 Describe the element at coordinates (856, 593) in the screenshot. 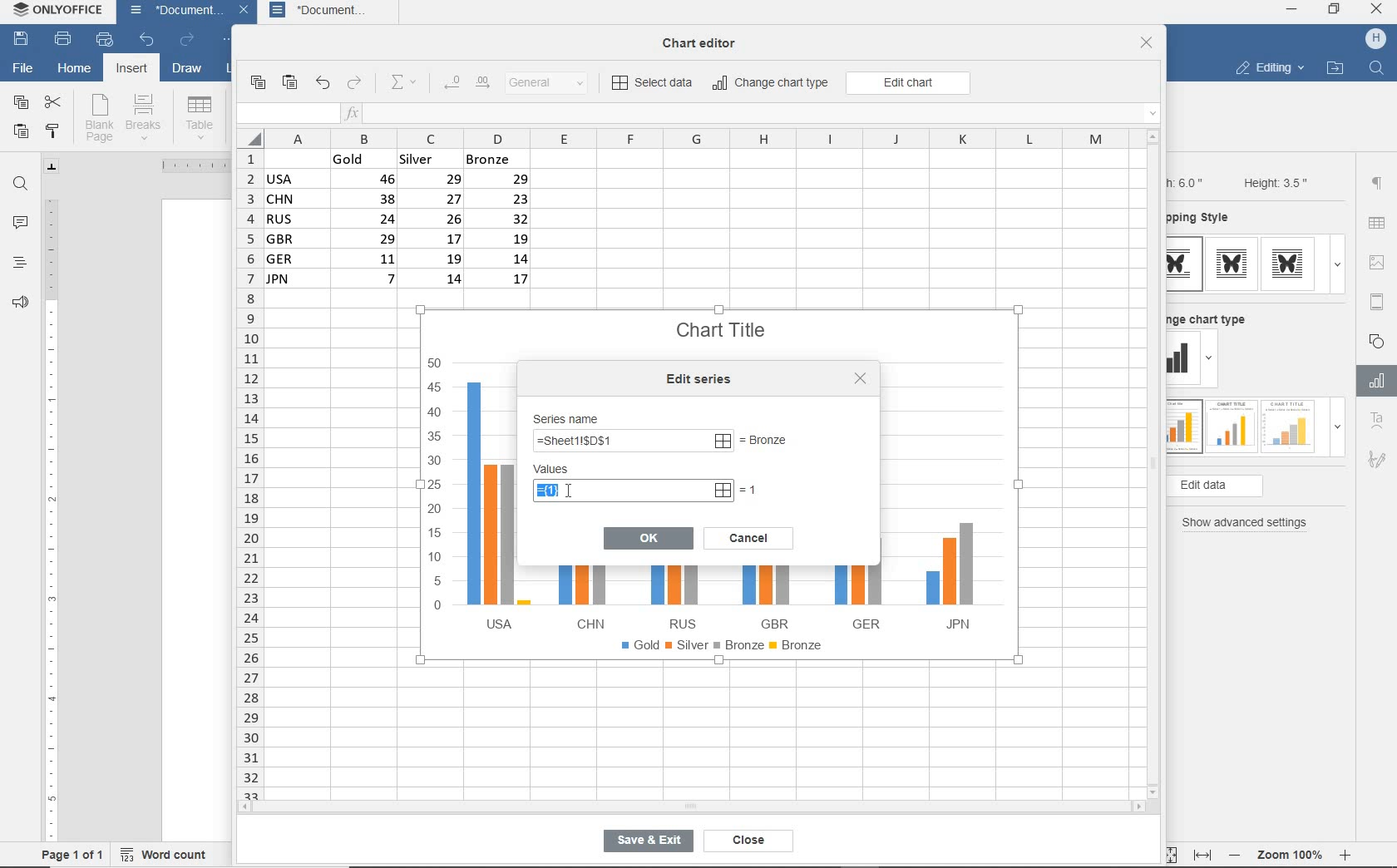

I see `GER` at that location.